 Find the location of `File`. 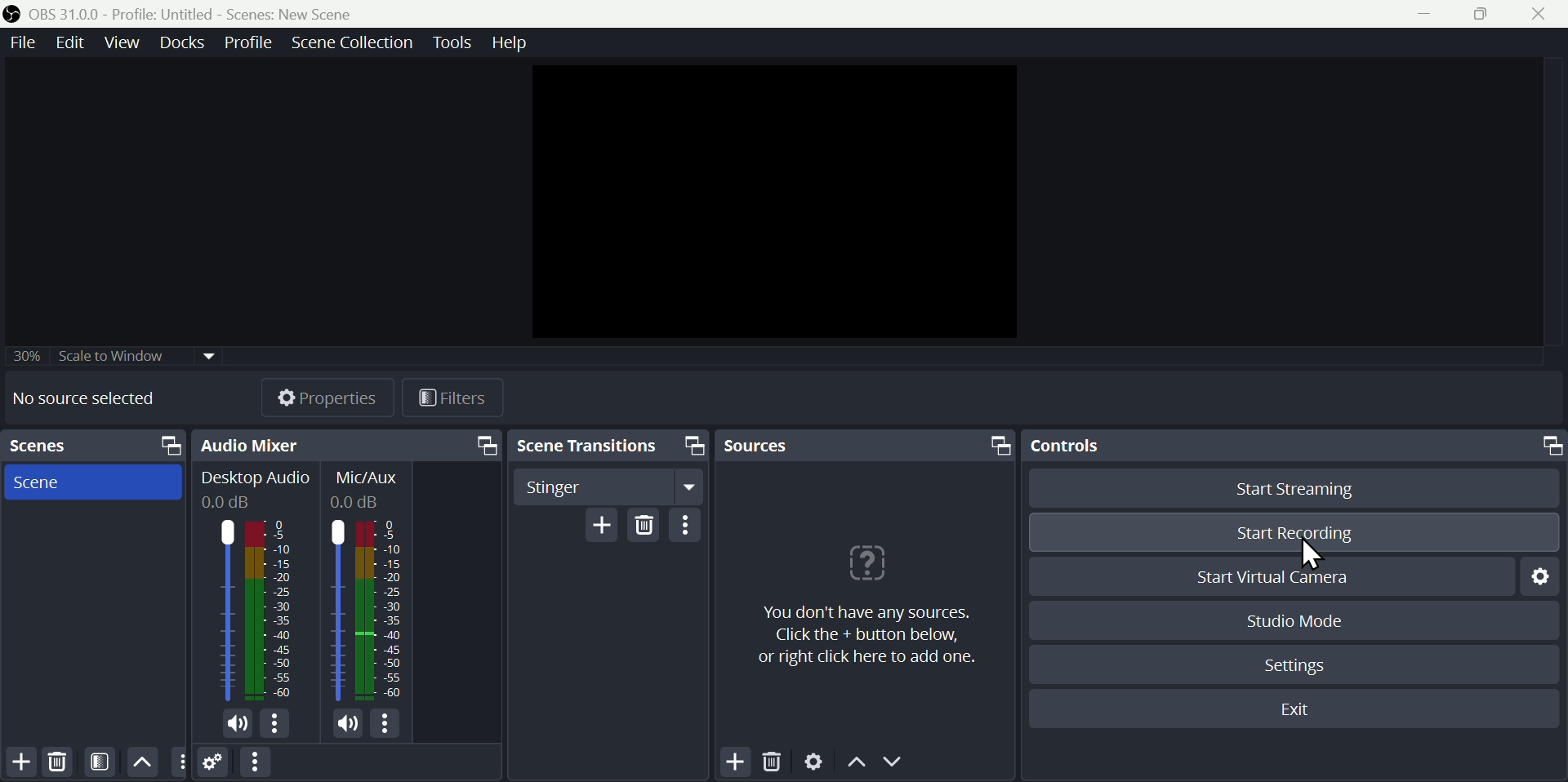

File is located at coordinates (27, 47).